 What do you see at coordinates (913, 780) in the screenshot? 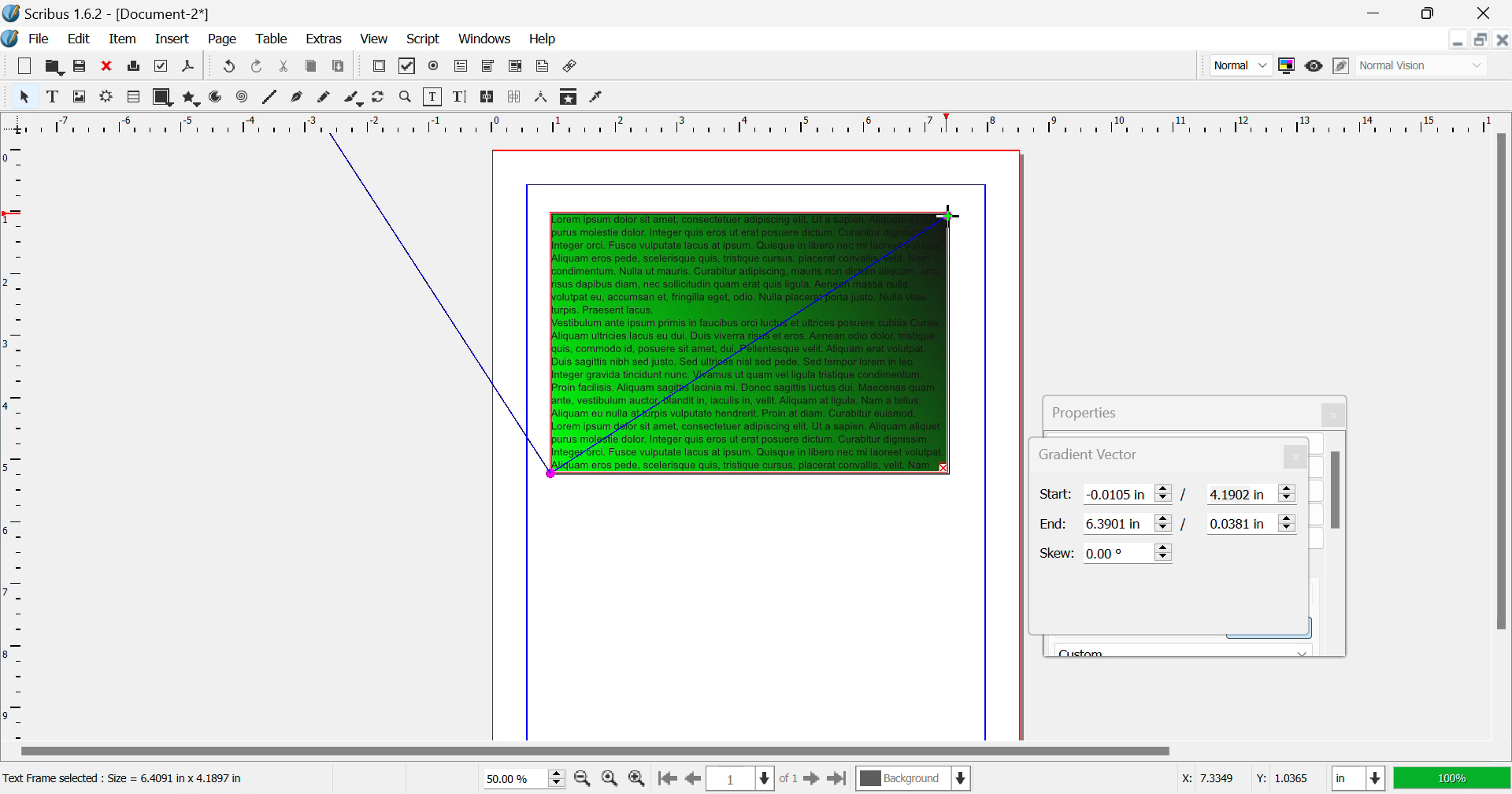
I see `Background` at bounding box center [913, 780].